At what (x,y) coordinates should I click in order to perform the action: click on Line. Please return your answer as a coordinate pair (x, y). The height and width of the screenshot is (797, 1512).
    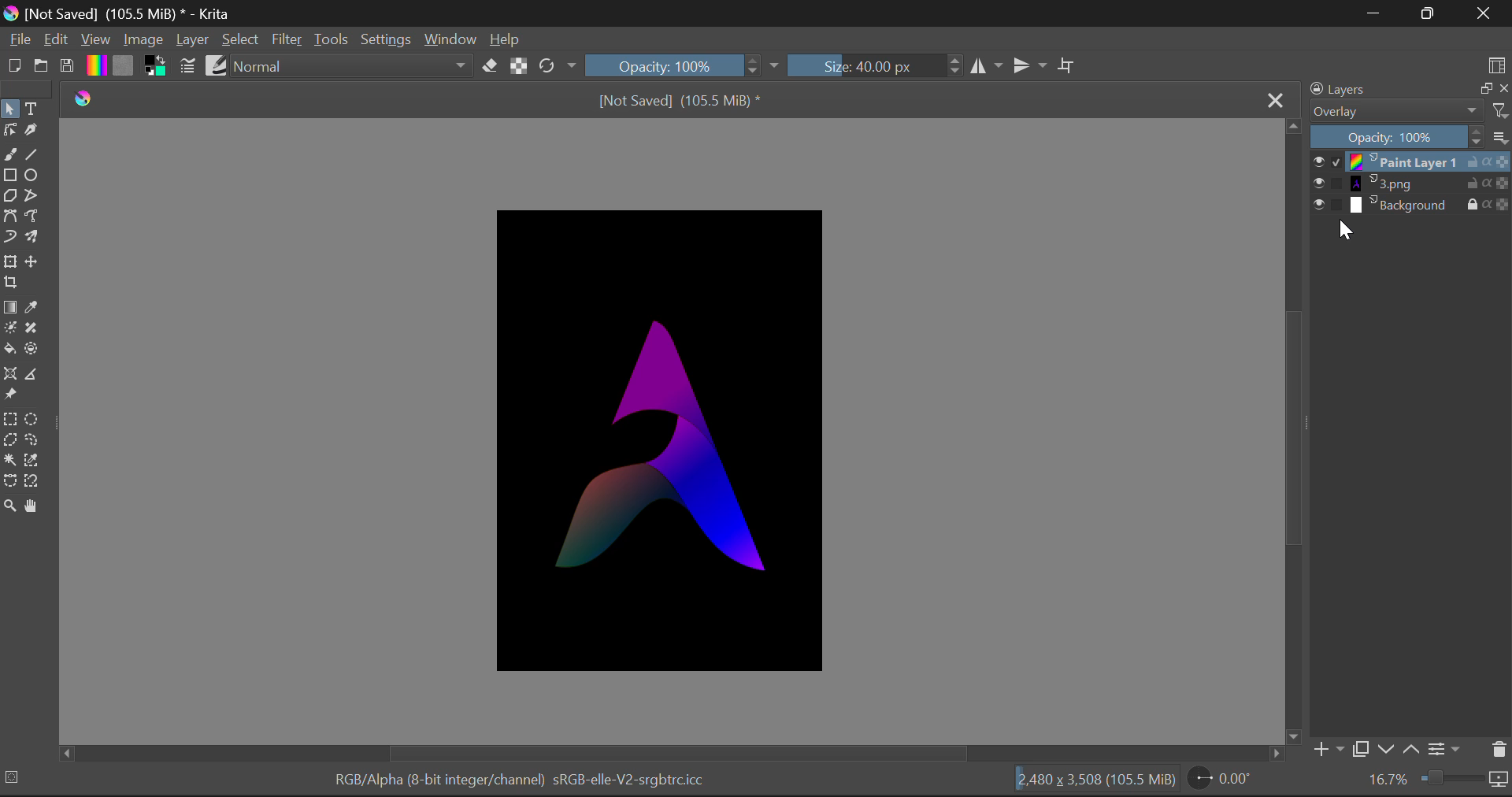
    Looking at the image, I should click on (34, 155).